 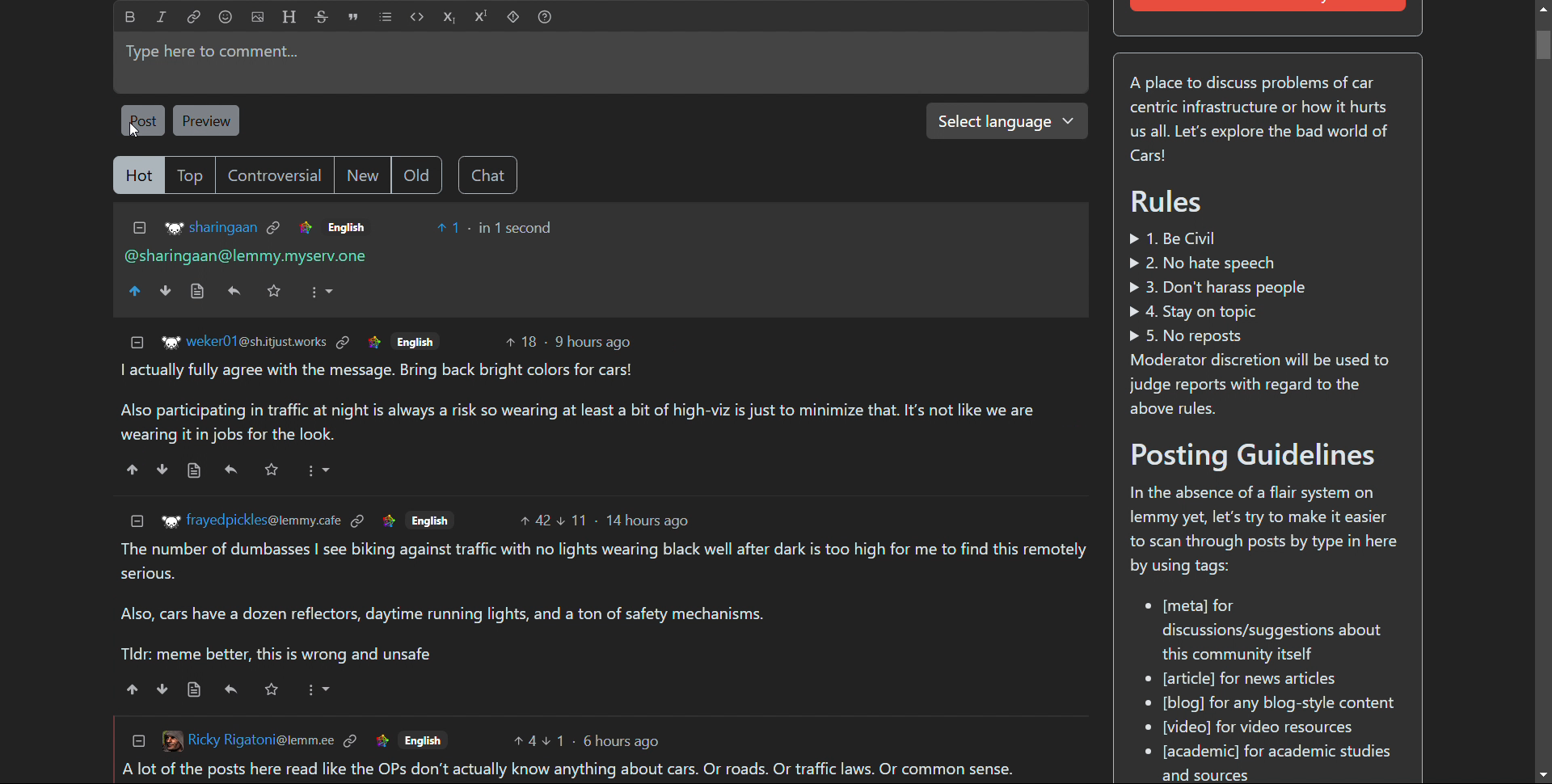 I want to click on I actually fully agree with the message. Bring back bright colors for cars!
Also participating in traffic at night is always a risk so wearing at least a bit of high-viz is just to minimize that. It's not like we are
wearing it in jobs for the look., so click(x=589, y=403).